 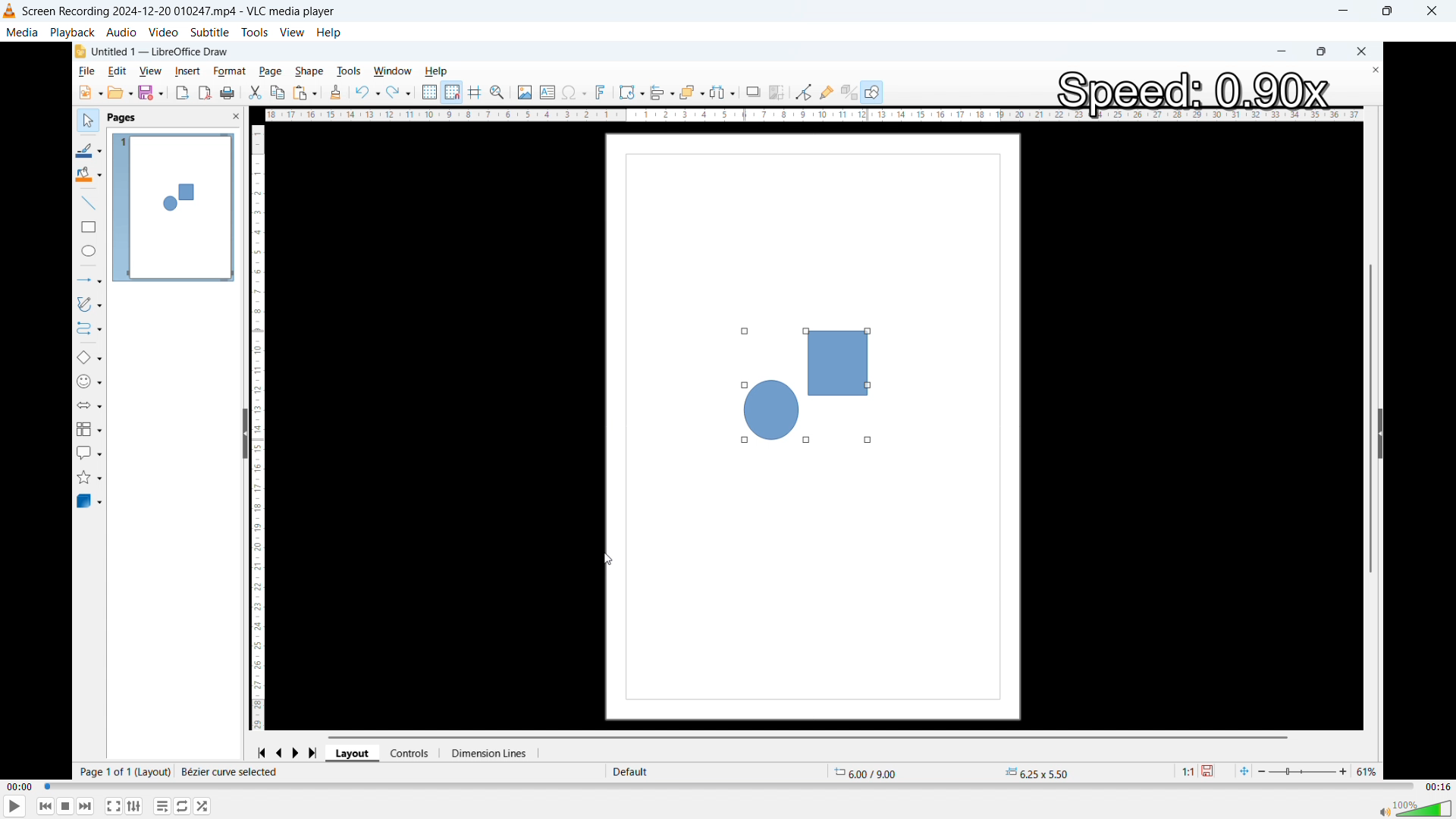 I want to click on Maximise , so click(x=1390, y=11).